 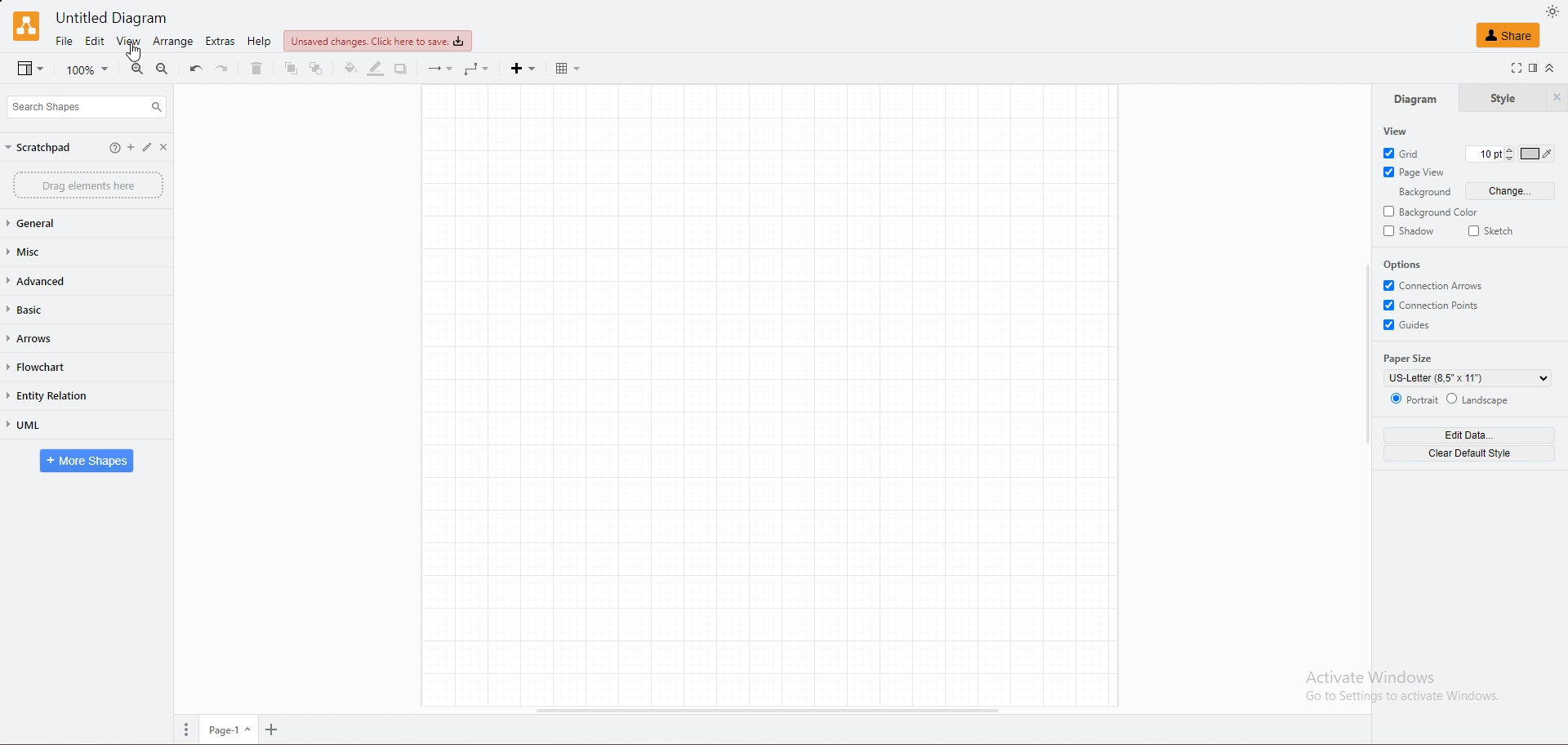 What do you see at coordinates (288, 69) in the screenshot?
I see `to front` at bounding box center [288, 69].